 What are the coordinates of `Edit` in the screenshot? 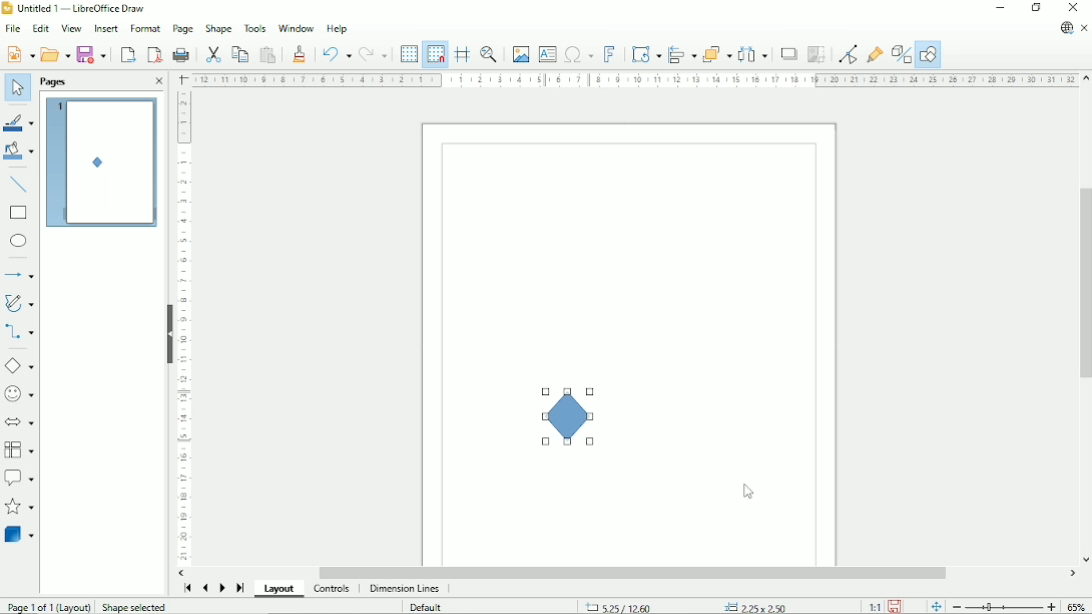 It's located at (39, 28).